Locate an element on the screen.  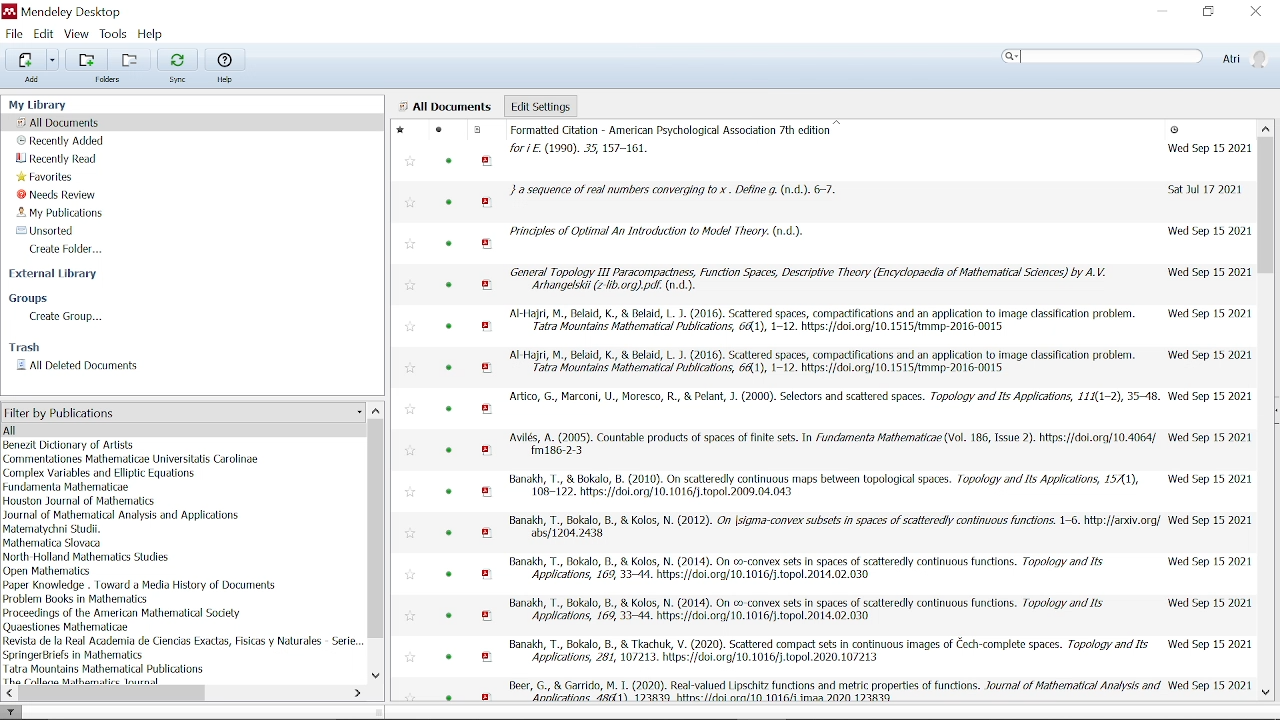
Minimize is located at coordinates (1162, 13).